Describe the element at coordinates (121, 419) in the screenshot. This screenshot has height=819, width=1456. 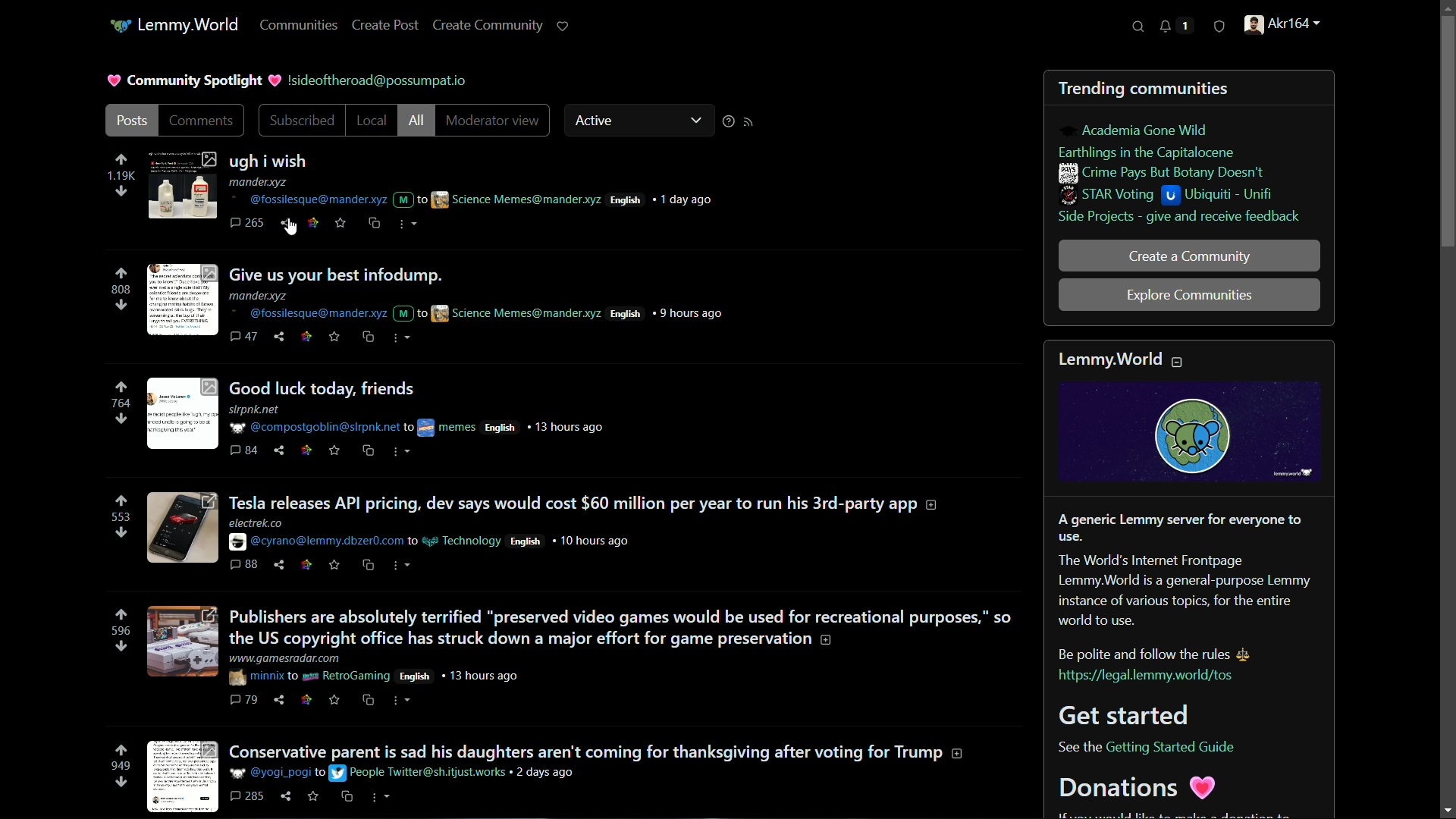
I see `downvote` at that location.